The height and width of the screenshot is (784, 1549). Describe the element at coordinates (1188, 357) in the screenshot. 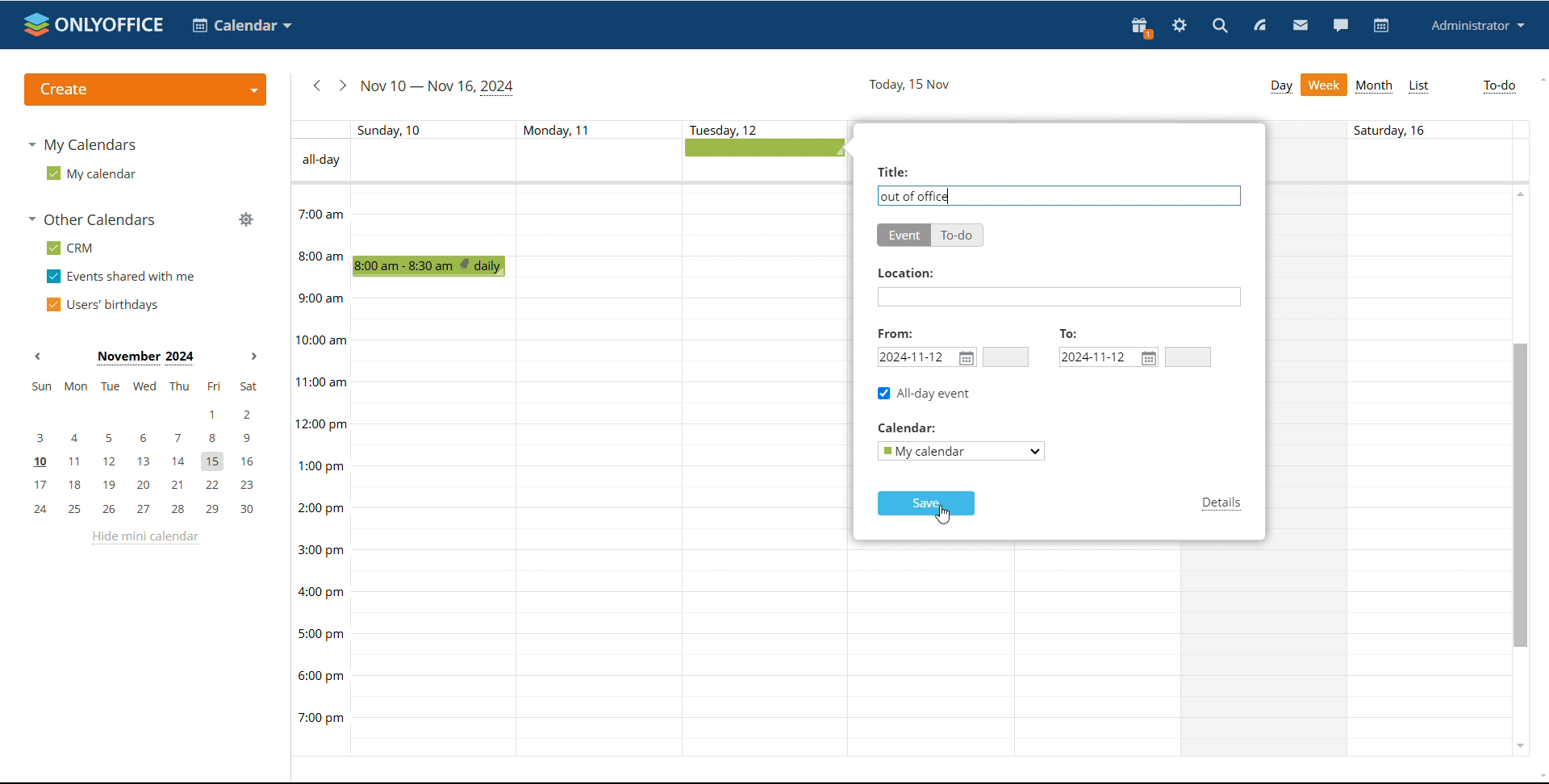

I see `end time` at that location.